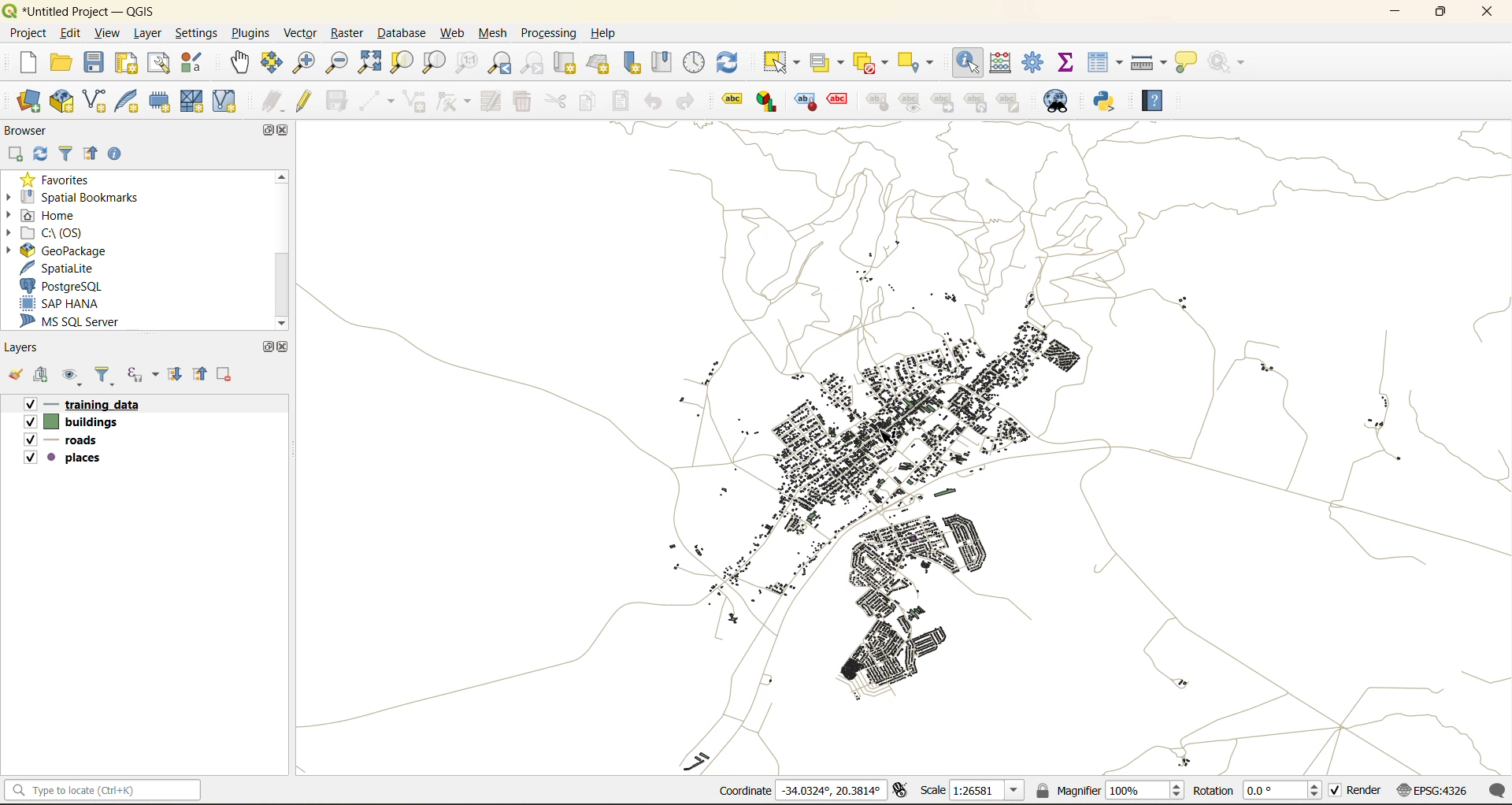 This screenshot has width=1512, height=805. I want to click on filter by expression, so click(145, 374).